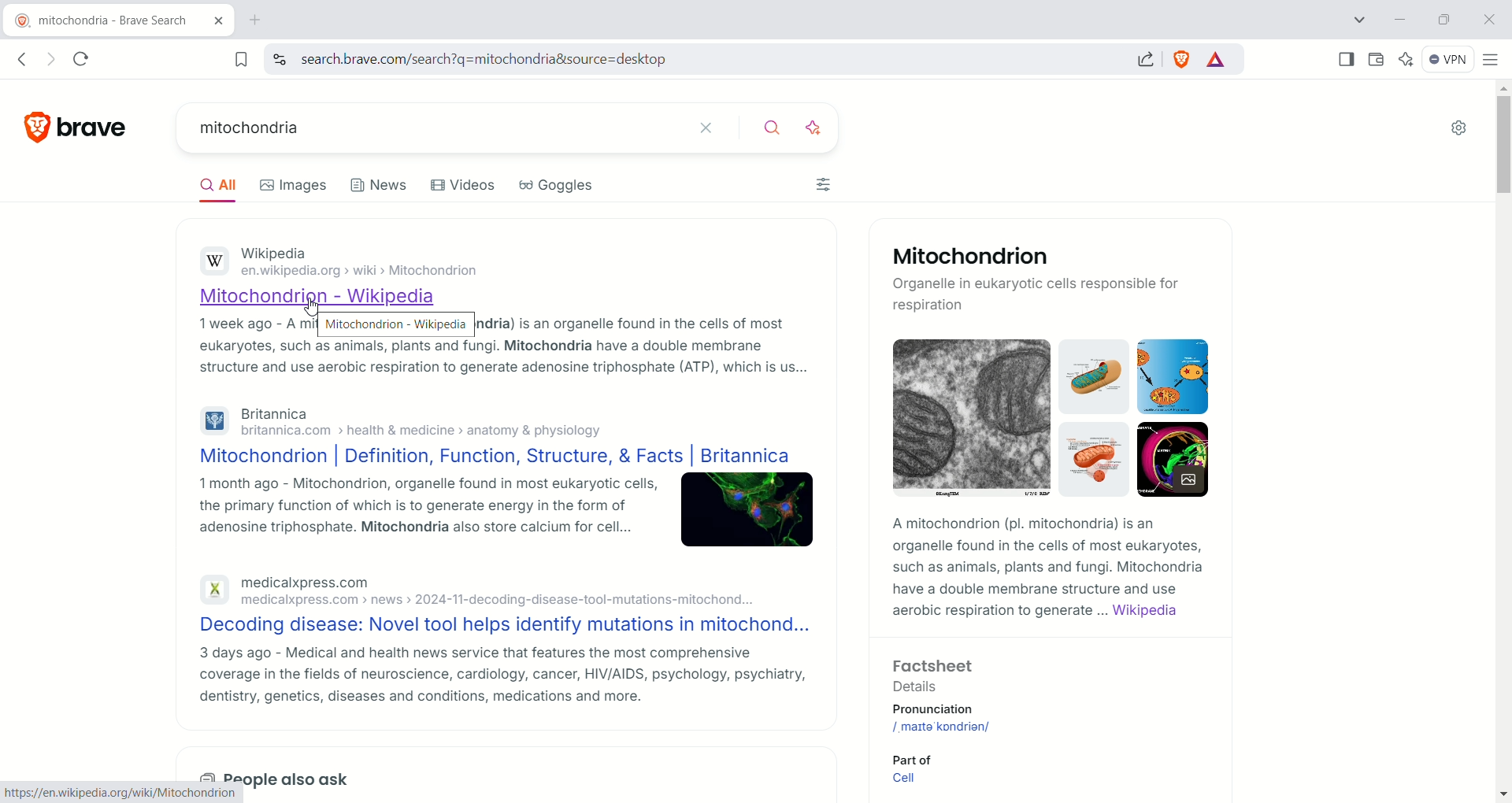 This screenshot has width=1512, height=803. What do you see at coordinates (749, 513) in the screenshot?
I see `image` at bounding box center [749, 513].